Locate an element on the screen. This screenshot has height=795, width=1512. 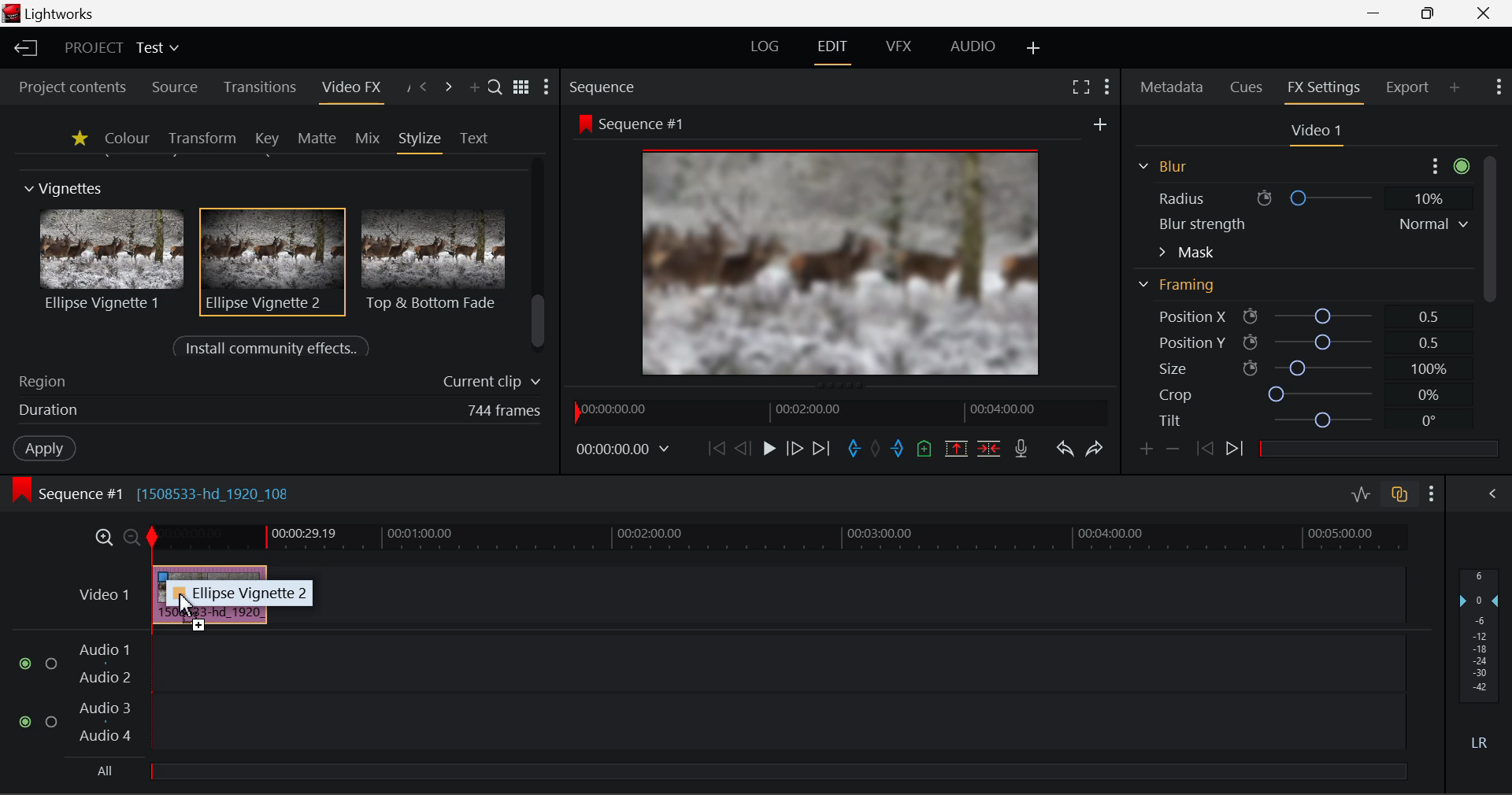
Project Title is located at coordinates (120, 50).